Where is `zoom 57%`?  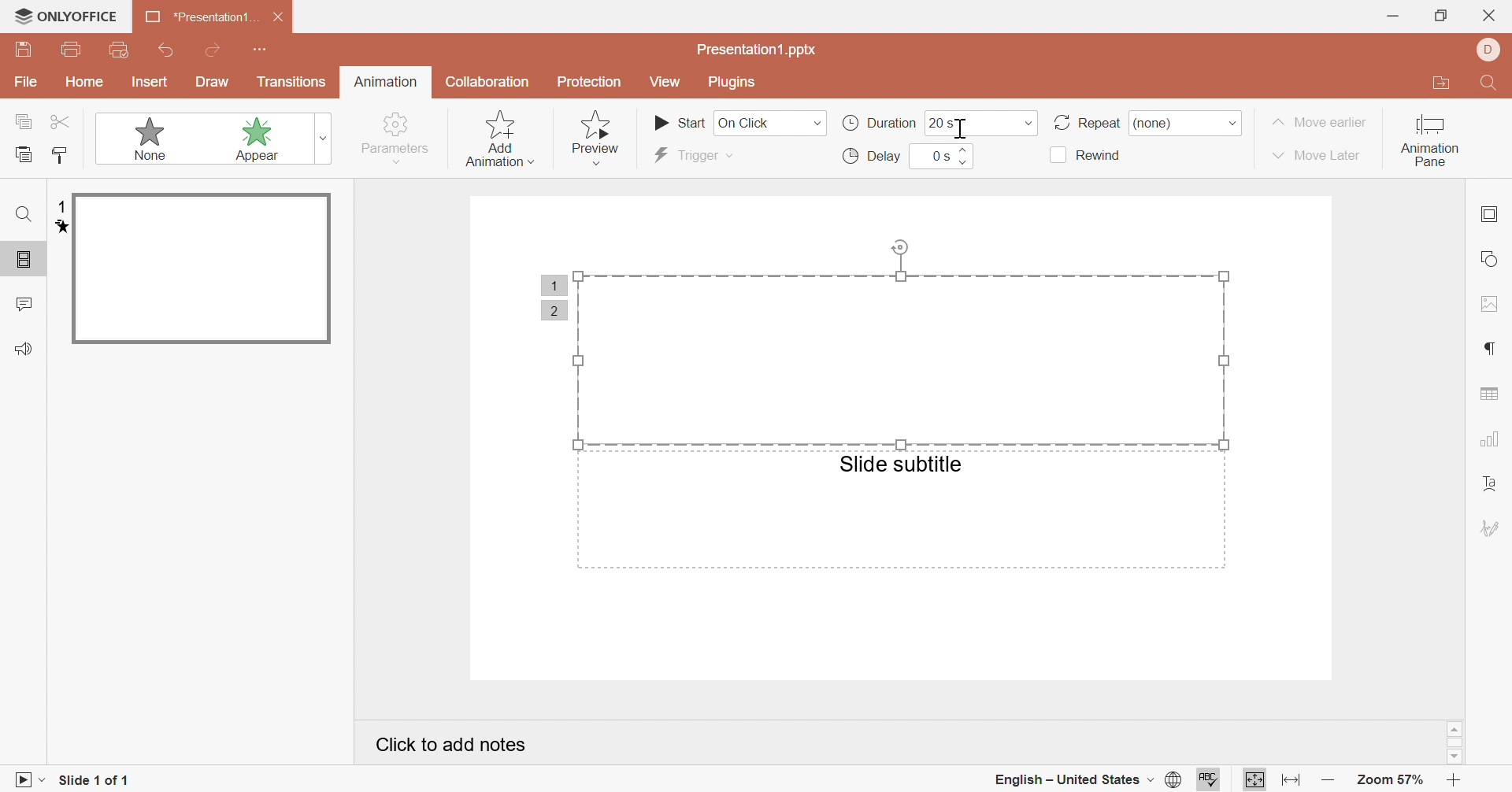
zoom 57% is located at coordinates (1392, 780).